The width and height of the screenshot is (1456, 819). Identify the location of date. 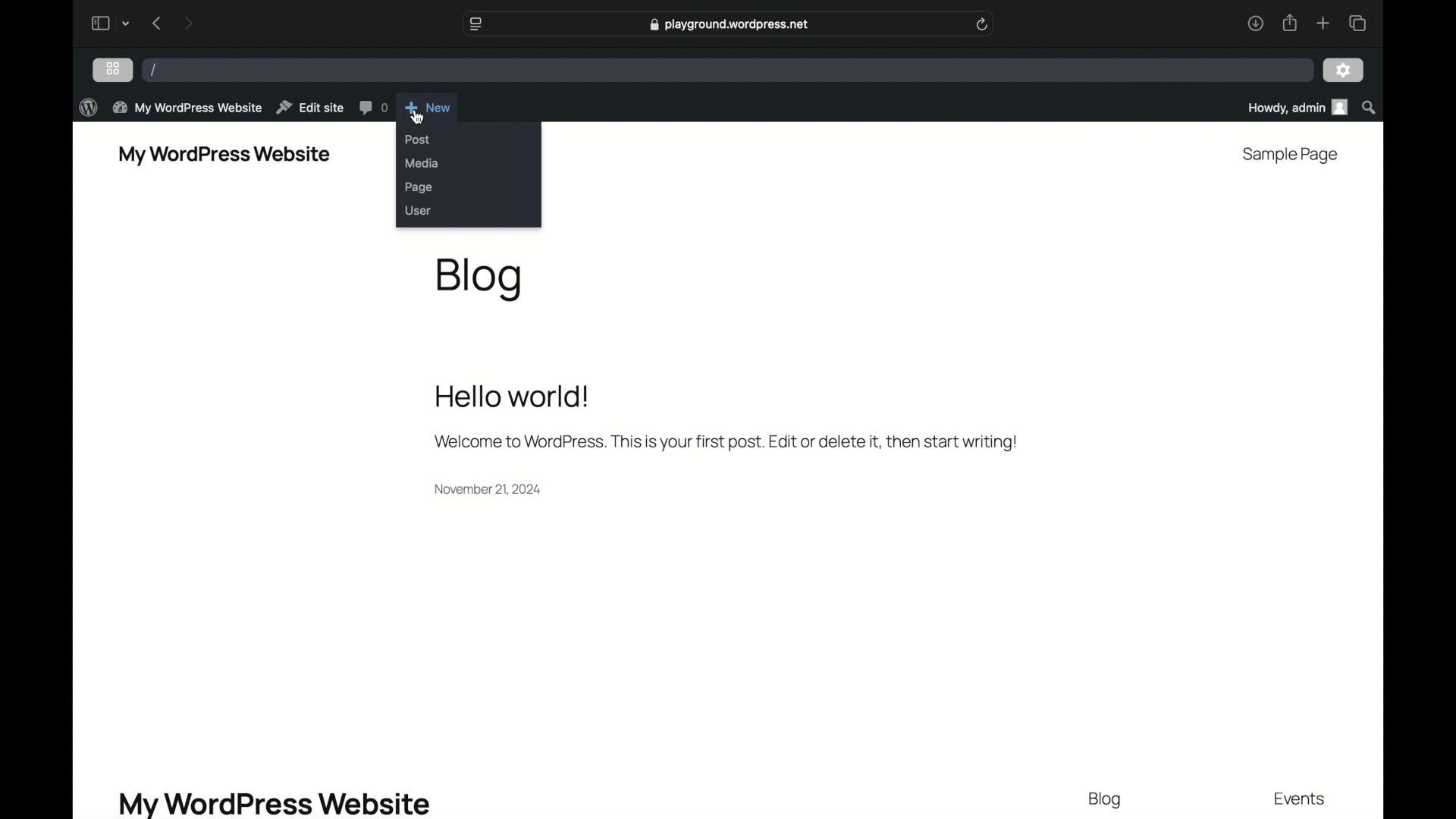
(489, 490).